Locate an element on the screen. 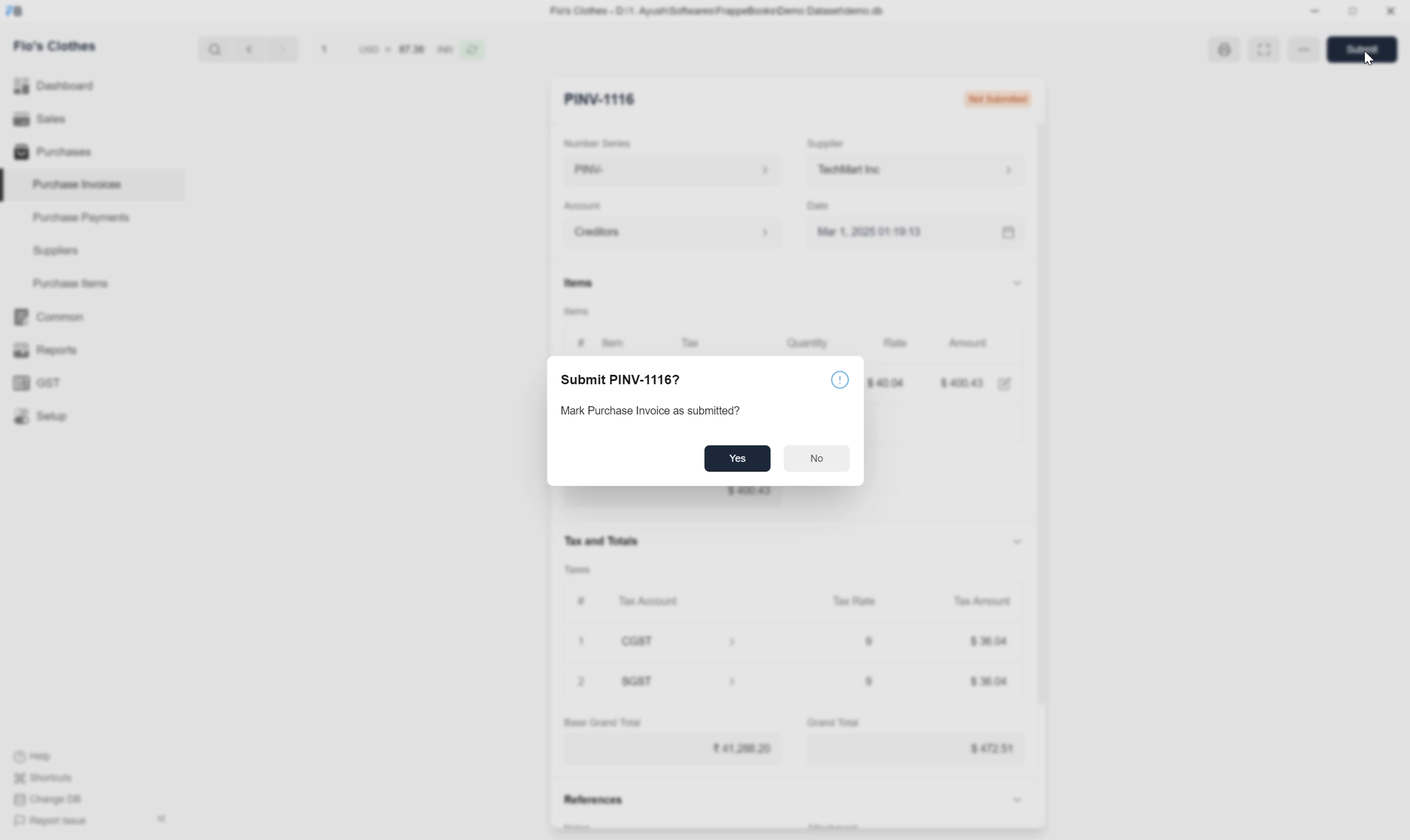  Submit PINV-1116? is located at coordinates (629, 379).